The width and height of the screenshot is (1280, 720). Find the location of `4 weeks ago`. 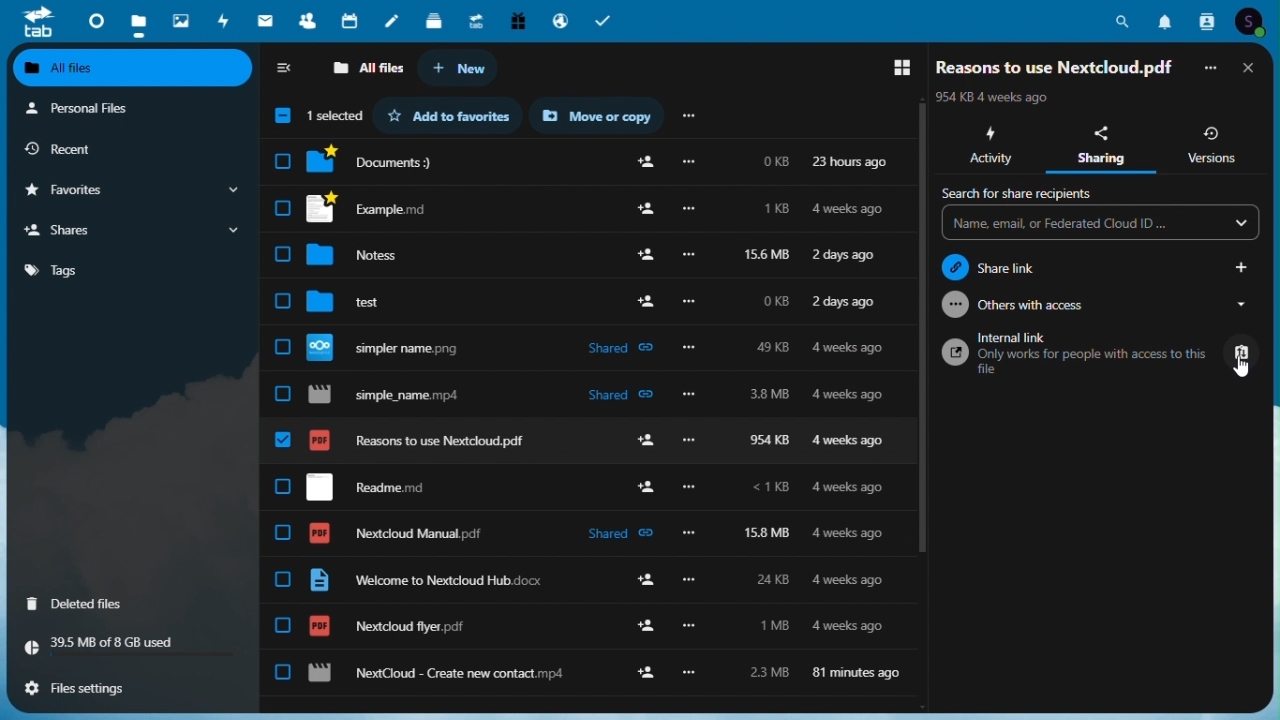

4 weeks ago is located at coordinates (847, 396).